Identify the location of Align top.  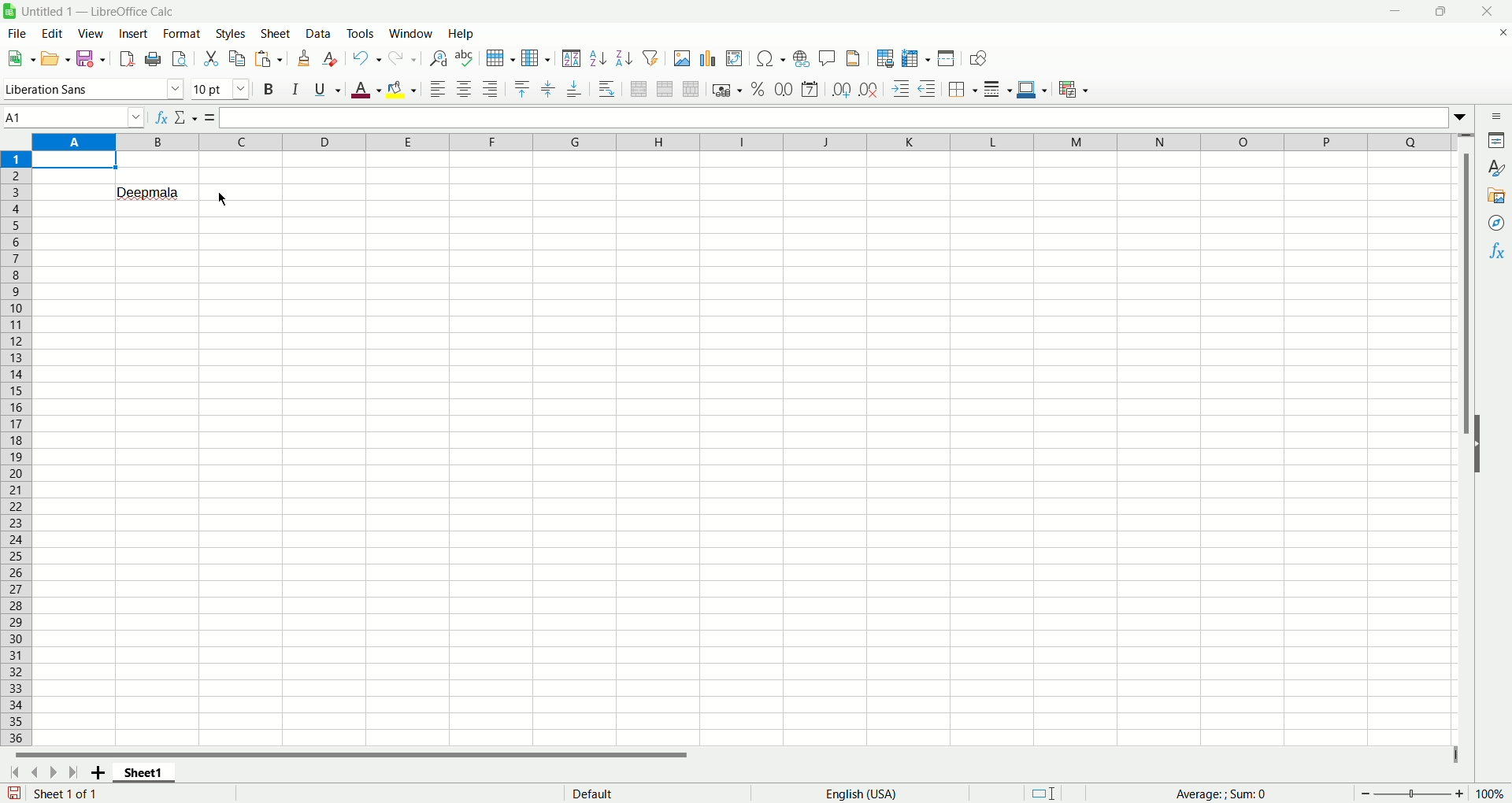
(521, 90).